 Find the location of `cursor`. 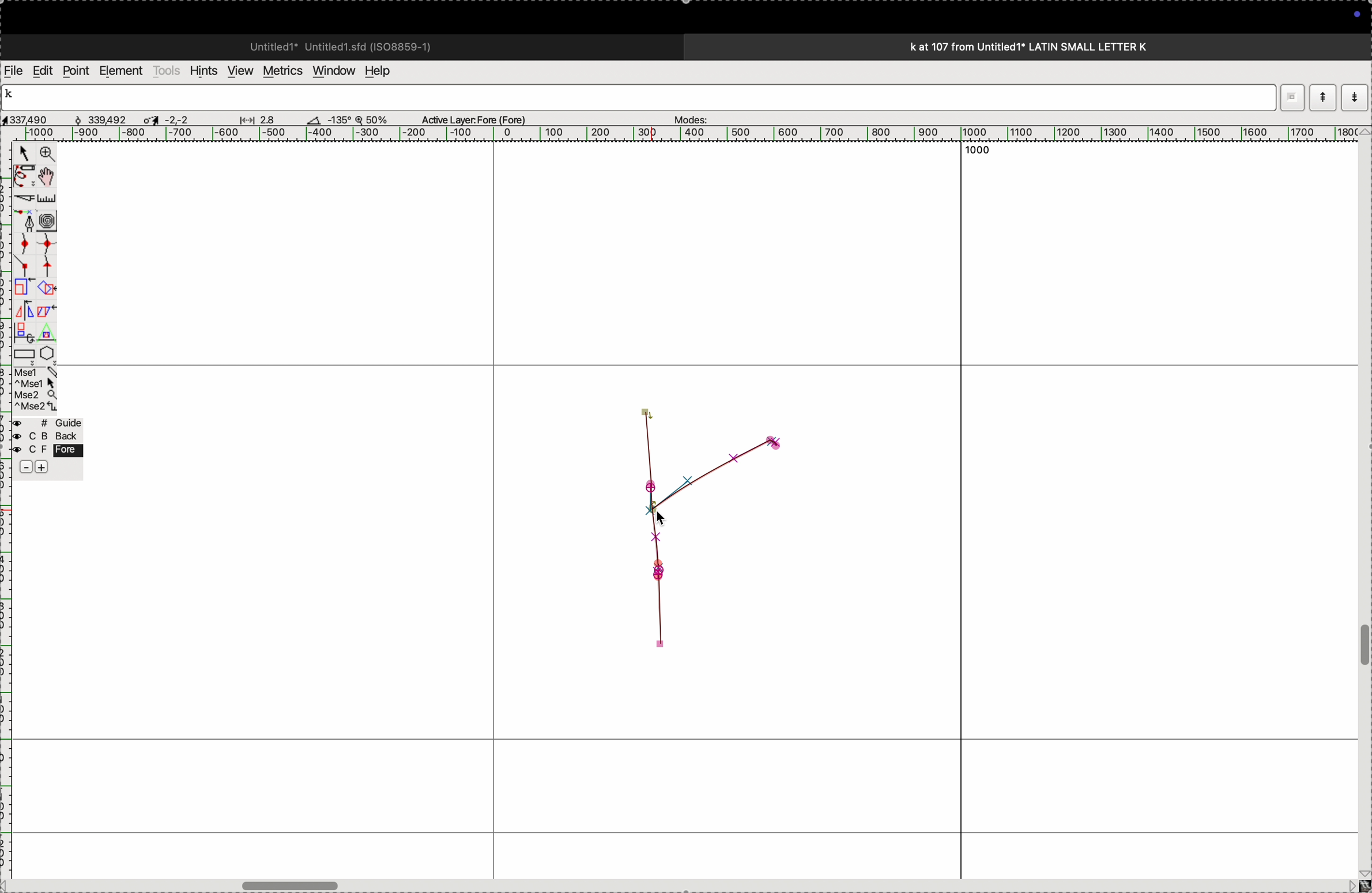

cursor is located at coordinates (150, 118).